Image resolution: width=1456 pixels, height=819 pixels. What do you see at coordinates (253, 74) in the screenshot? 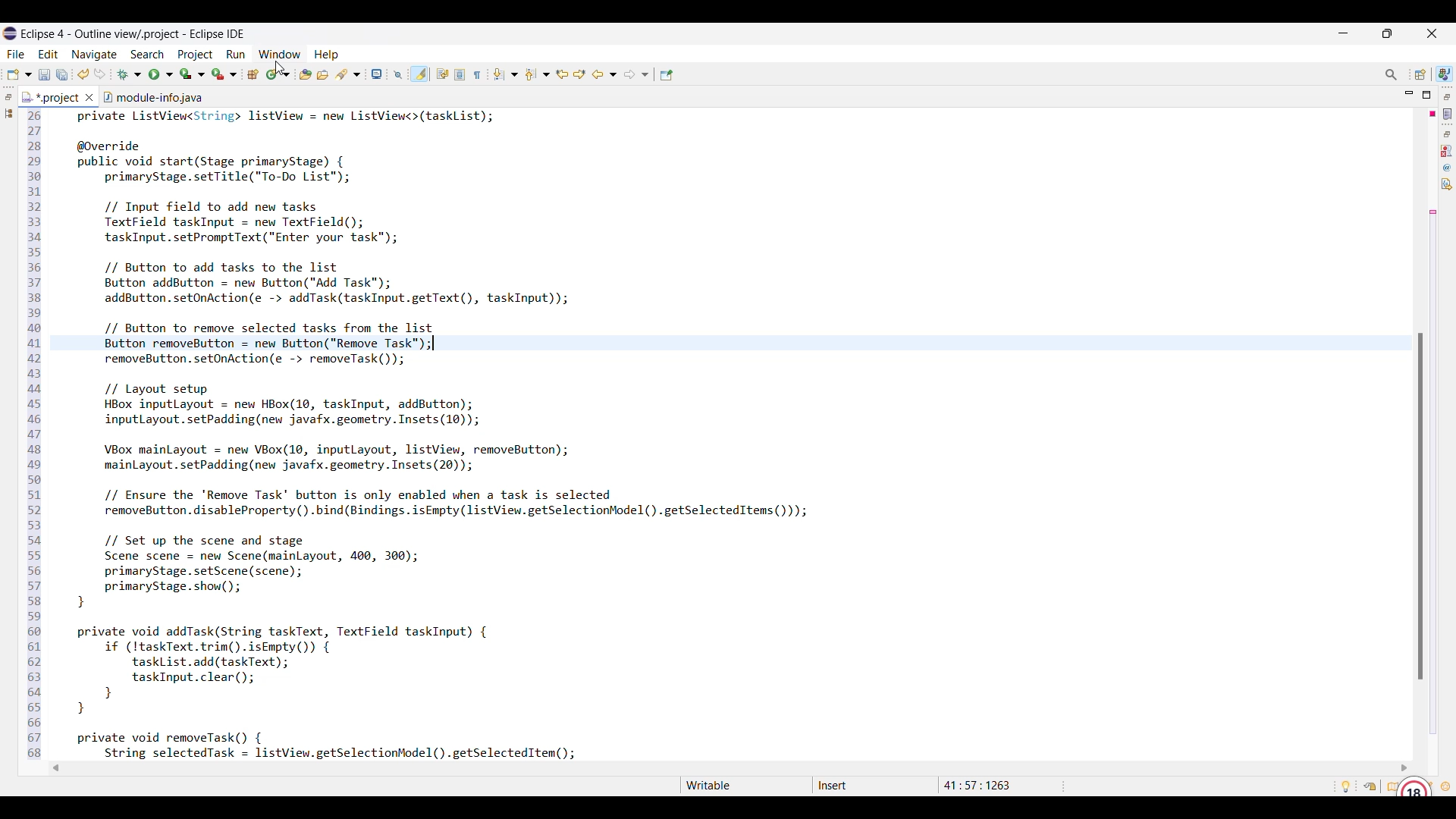
I see `New Java package` at bounding box center [253, 74].